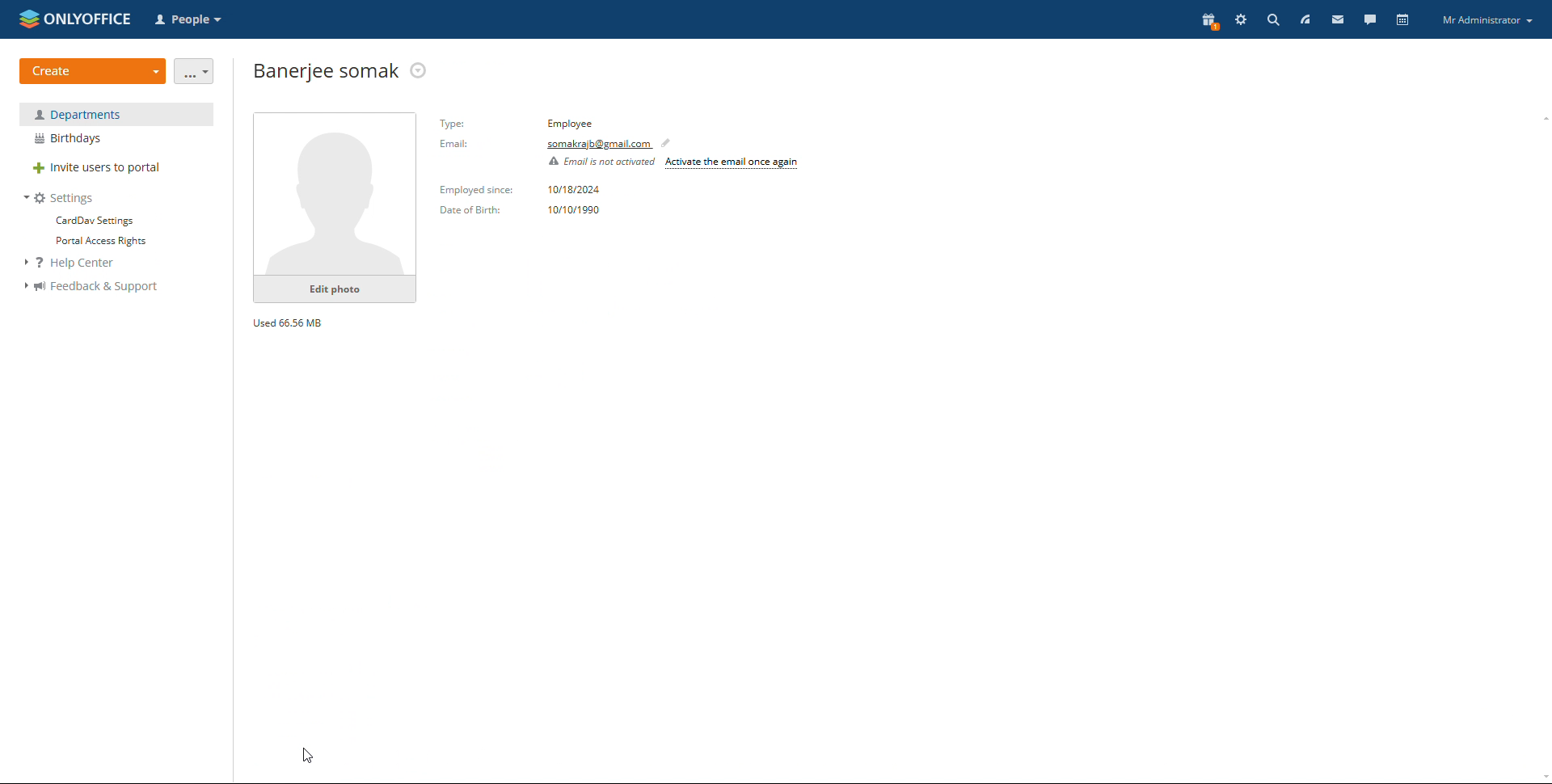 The height and width of the screenshot is (784, 1552). Describe the element at coordinates (335, 289) in the screenshot. I see `edit photo` at that location.